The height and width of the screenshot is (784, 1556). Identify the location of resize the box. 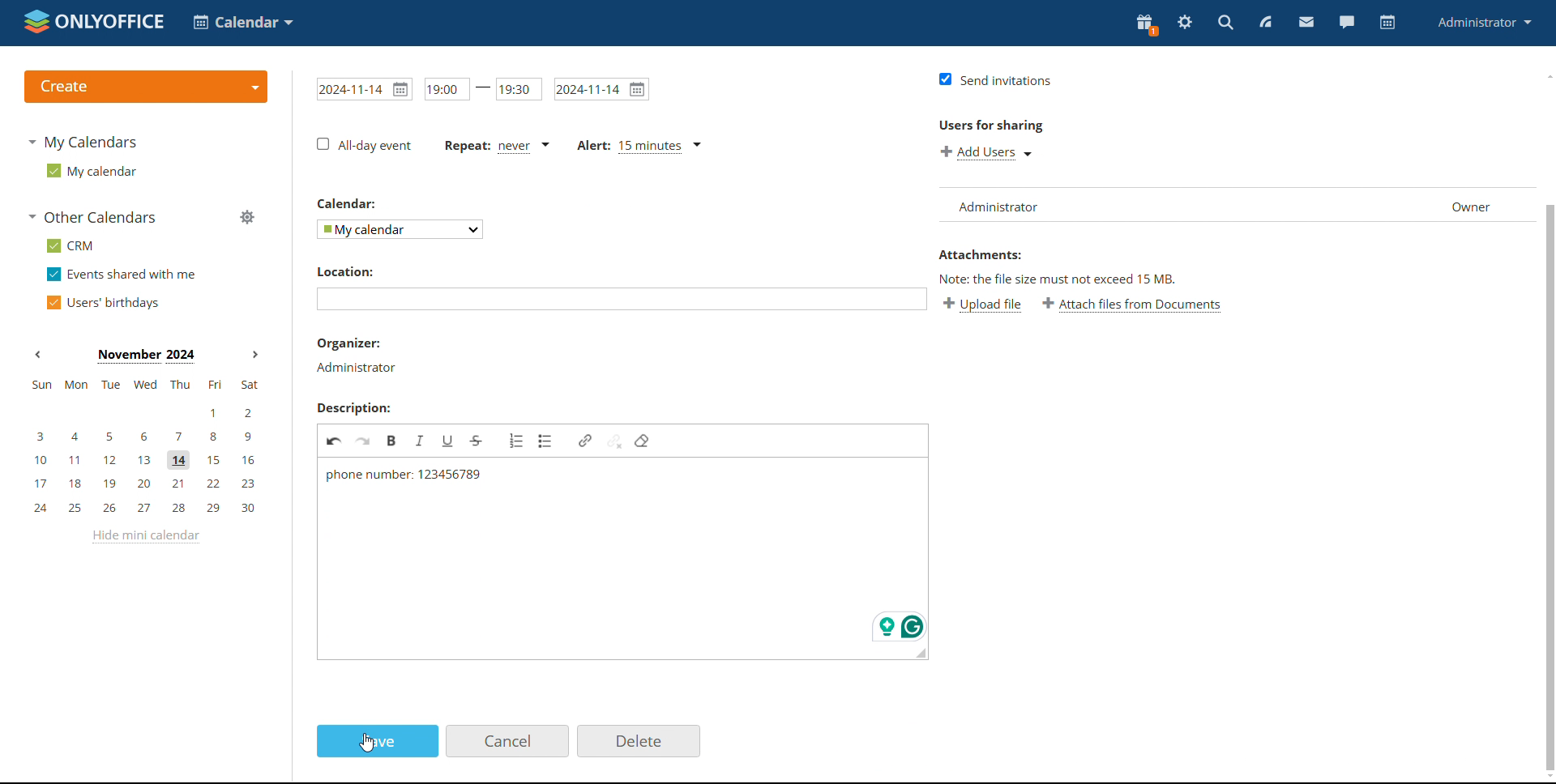
(924, 654).